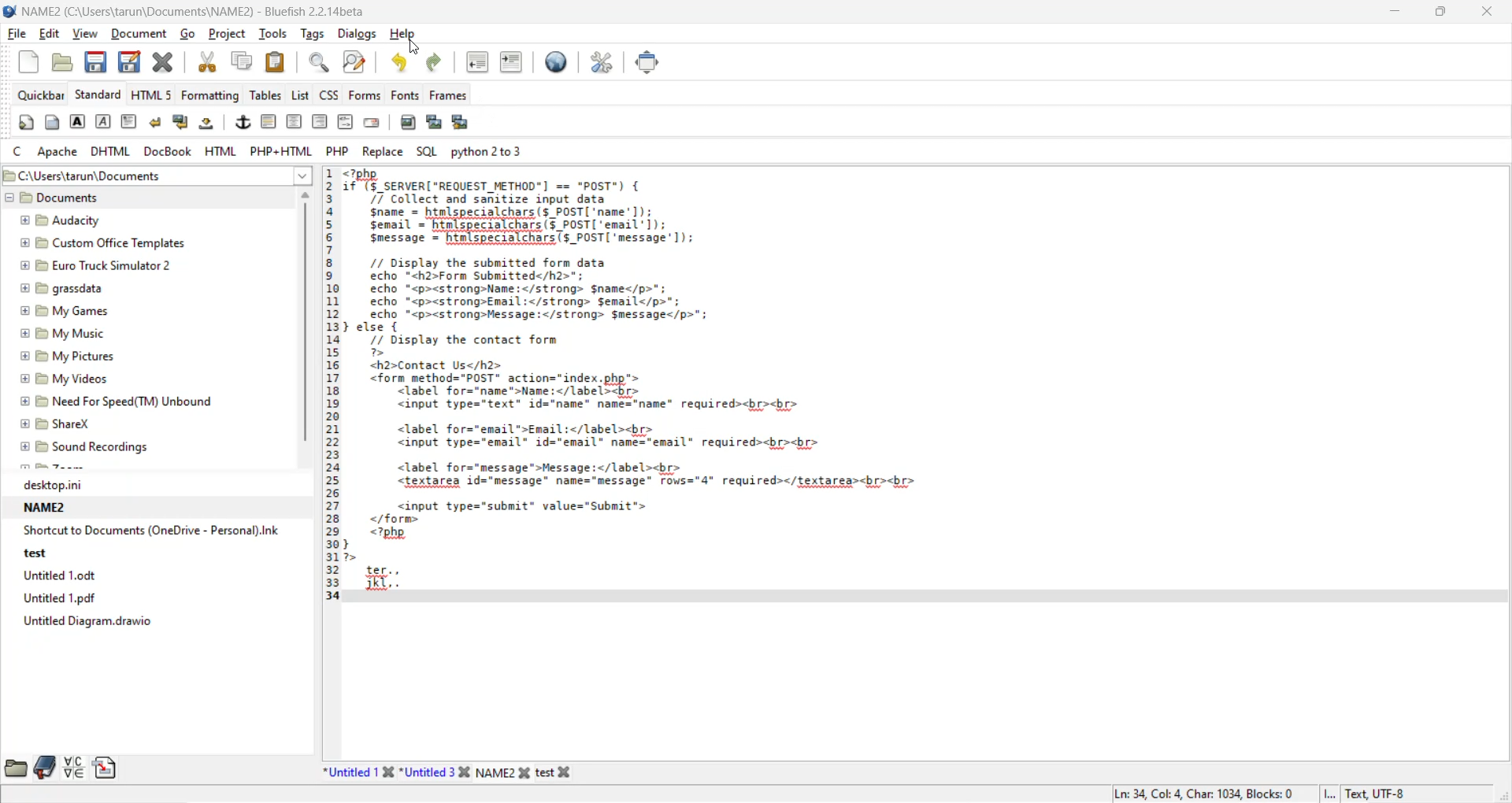 The width and height of the screenshot is (1512, 803). What do you see at coordinates (246, 122) in the screenshot?
I see `anchor` at bounding box center [246, 122].